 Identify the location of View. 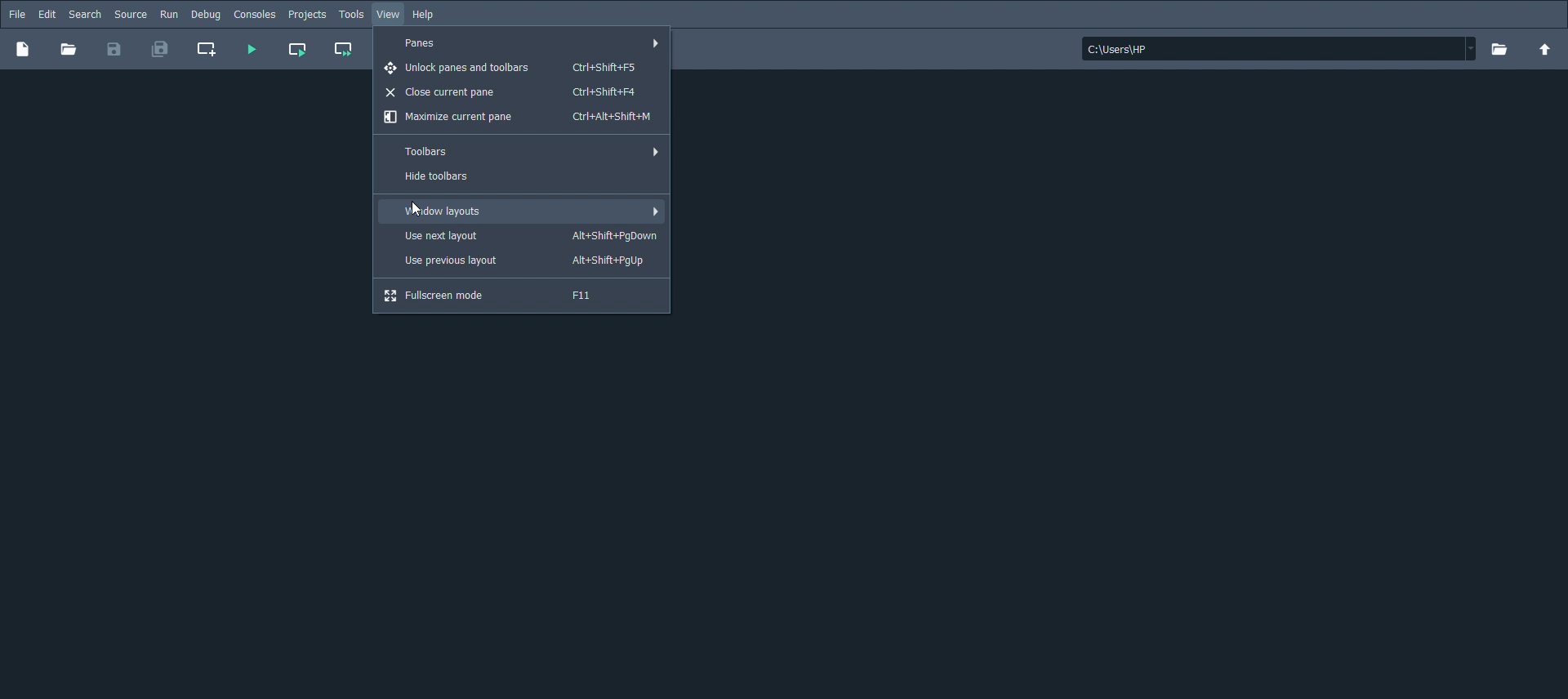
(391, 16).